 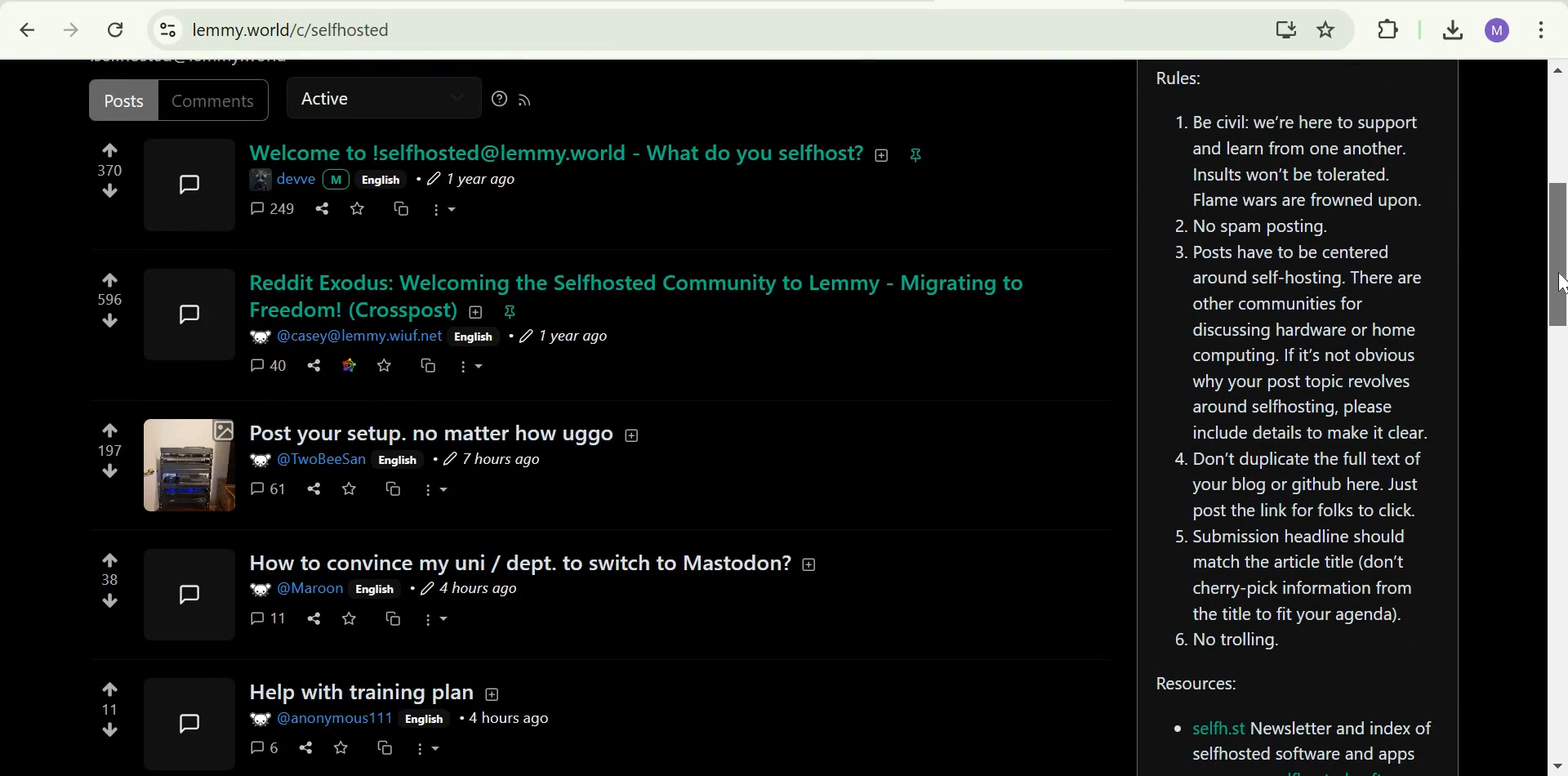 I want to click on comments, so click(x=218, y=100).